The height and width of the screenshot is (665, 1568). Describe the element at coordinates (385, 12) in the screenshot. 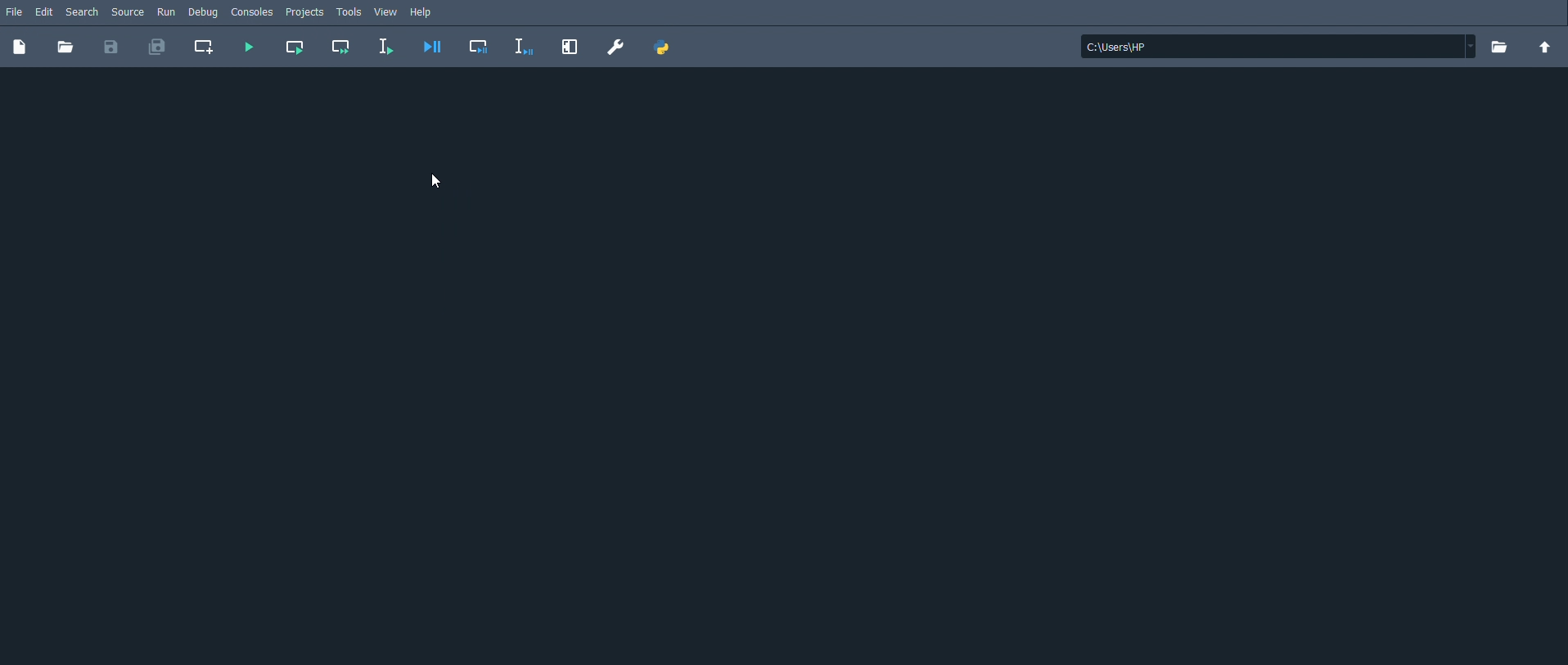

I see `View` at that location.